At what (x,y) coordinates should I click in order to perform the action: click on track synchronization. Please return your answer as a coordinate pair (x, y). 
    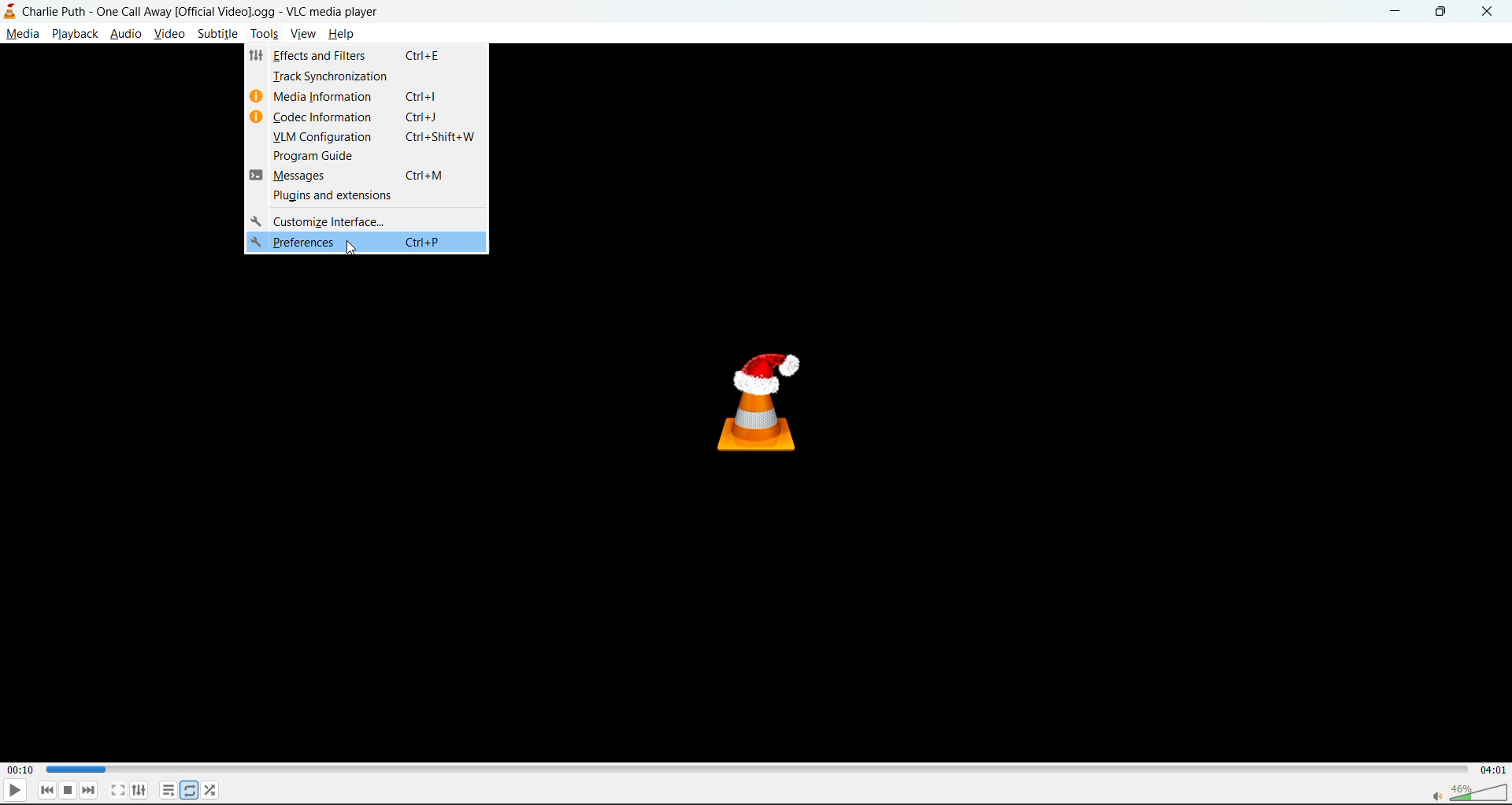
    Looking at the image, I should click on (369, 77).